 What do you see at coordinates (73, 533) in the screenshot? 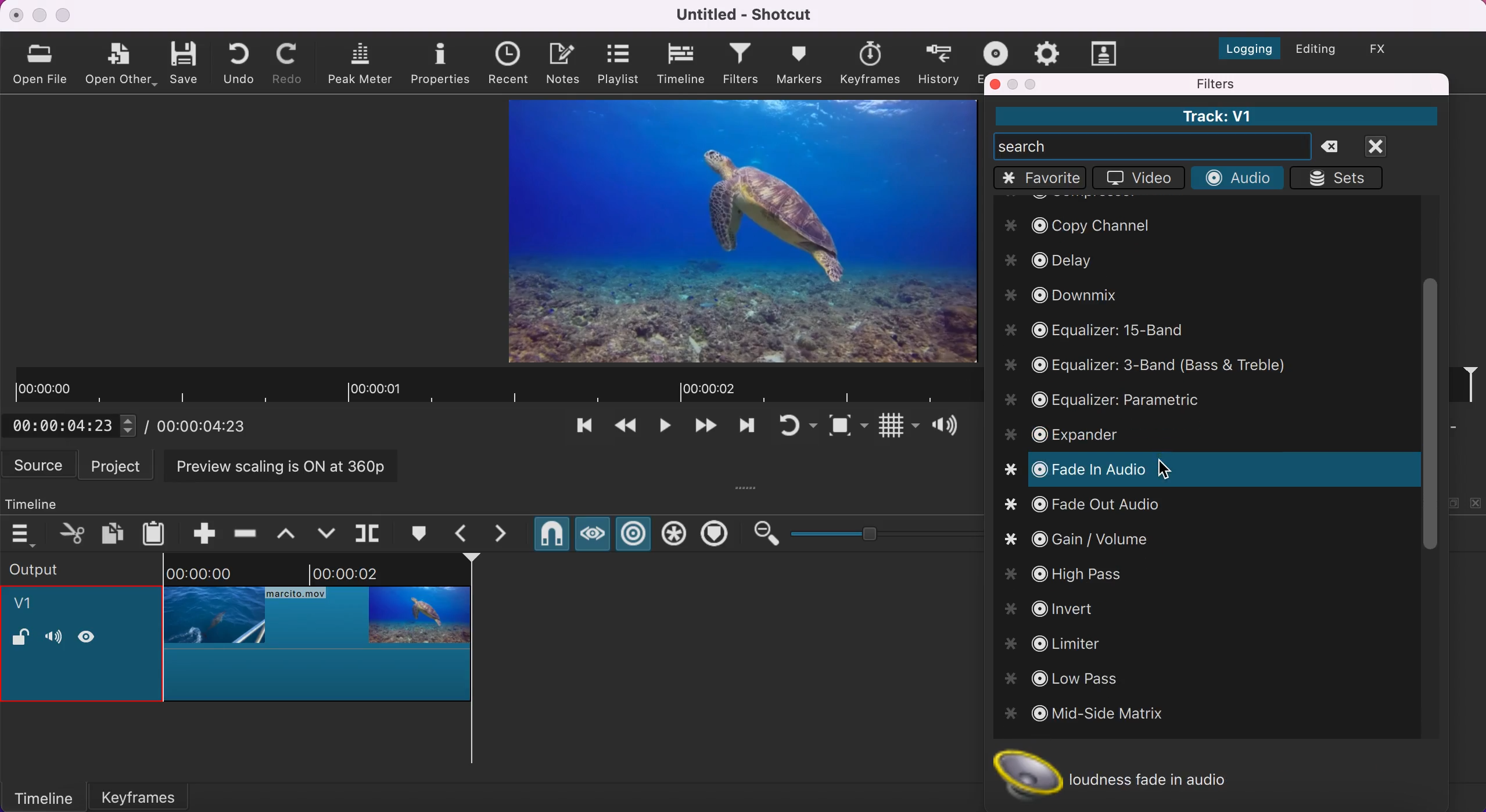
I see `cut` at bounding box center [73, 533].